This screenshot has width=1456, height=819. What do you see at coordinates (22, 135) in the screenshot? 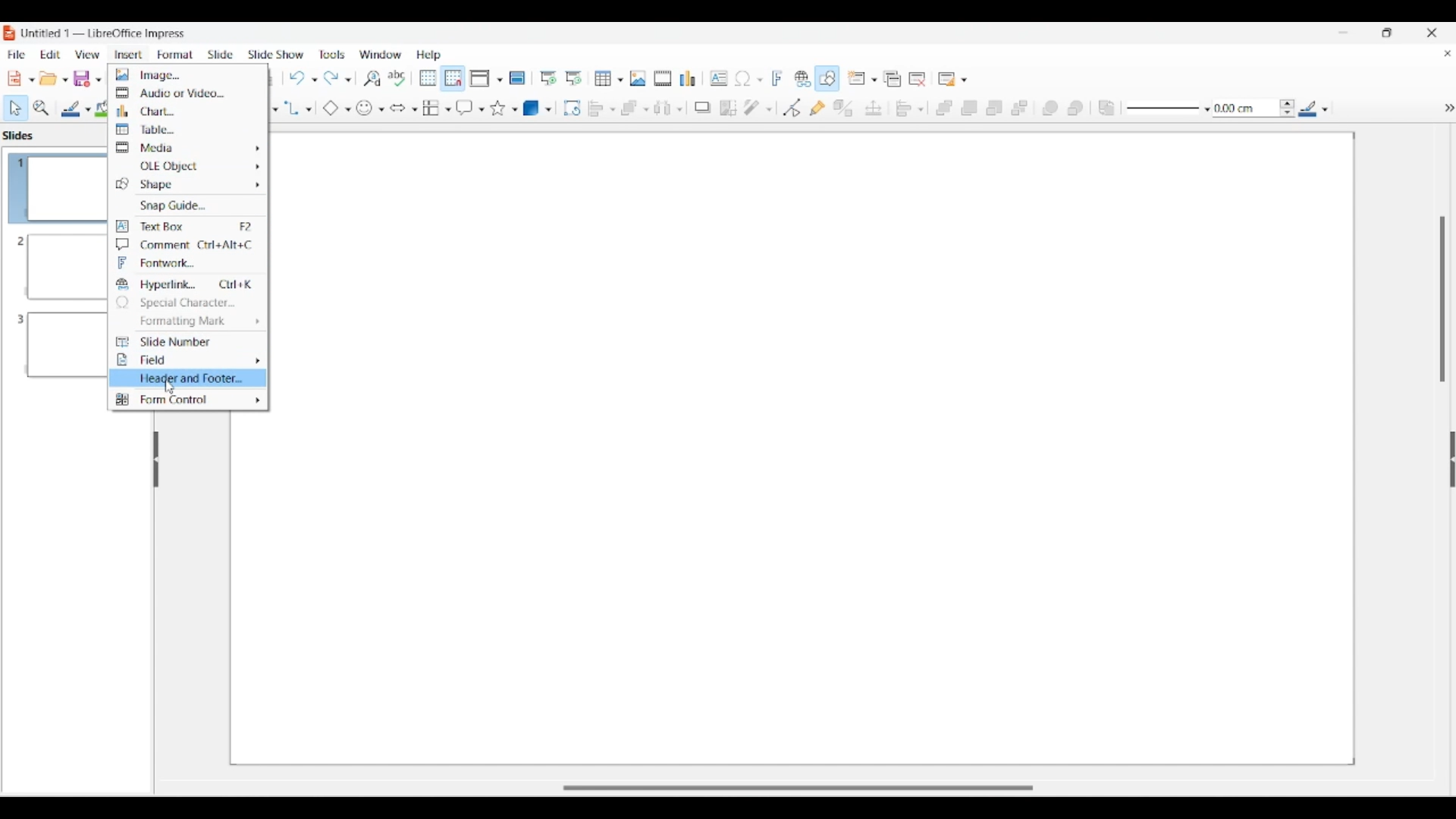
I see `Left pane title` at bounding box center [22, 135].